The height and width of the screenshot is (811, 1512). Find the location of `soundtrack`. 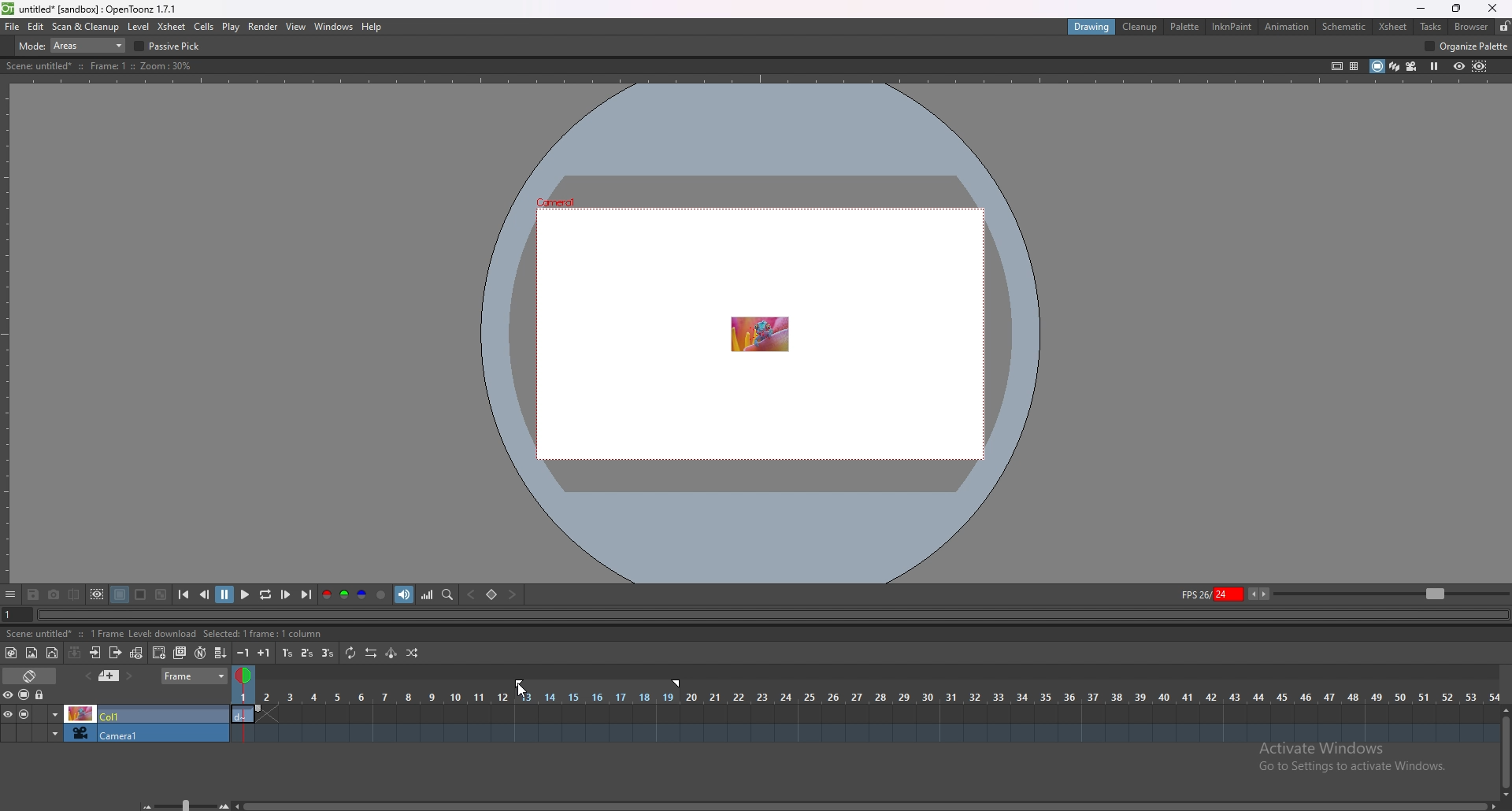

soundtrack is located at coordinates (404, 594).